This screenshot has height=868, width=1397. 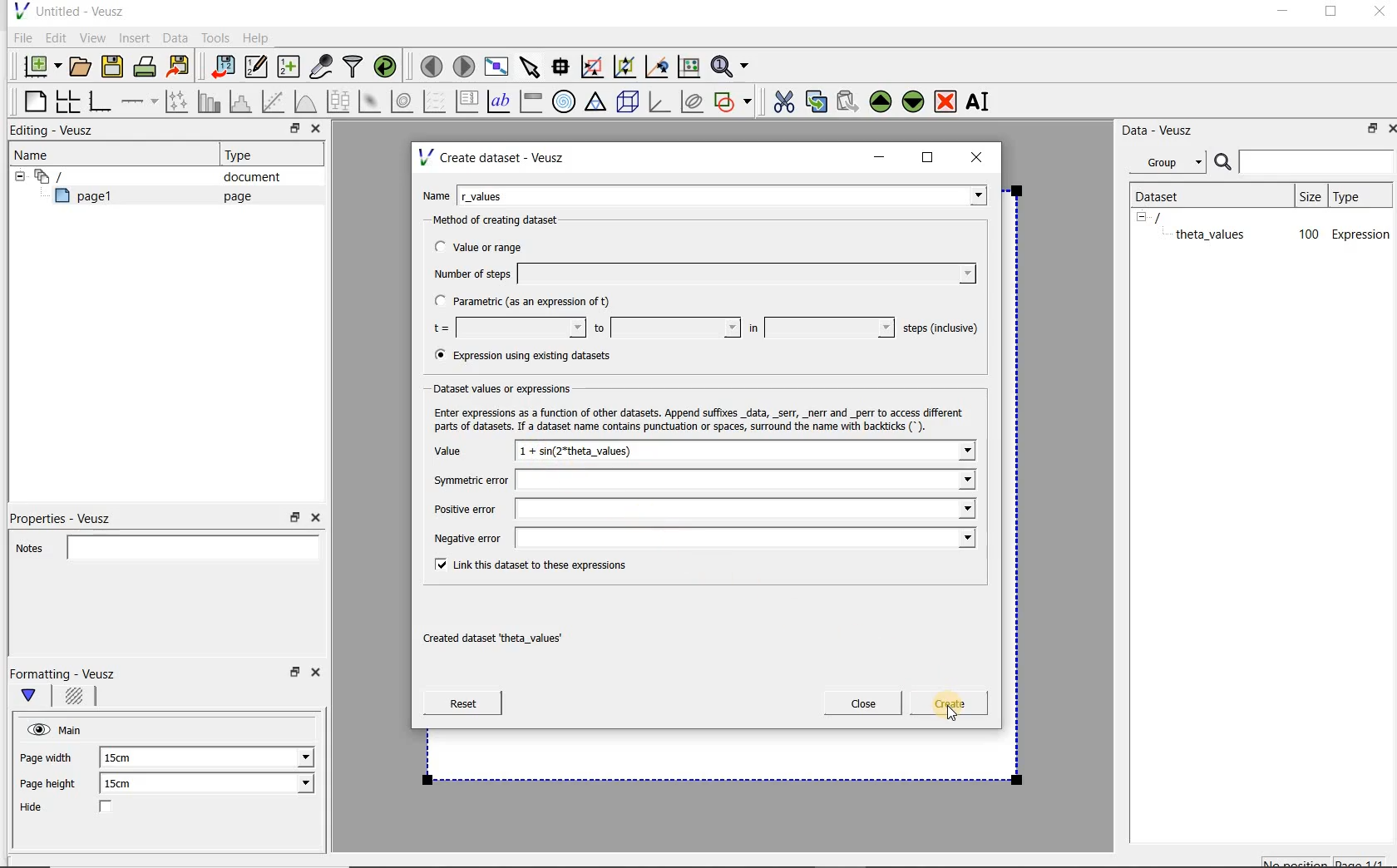 What do you see at coordinates (141, 101) in the screenshot?
I see `add an axis to a plot` at bounding box center [141, 101].